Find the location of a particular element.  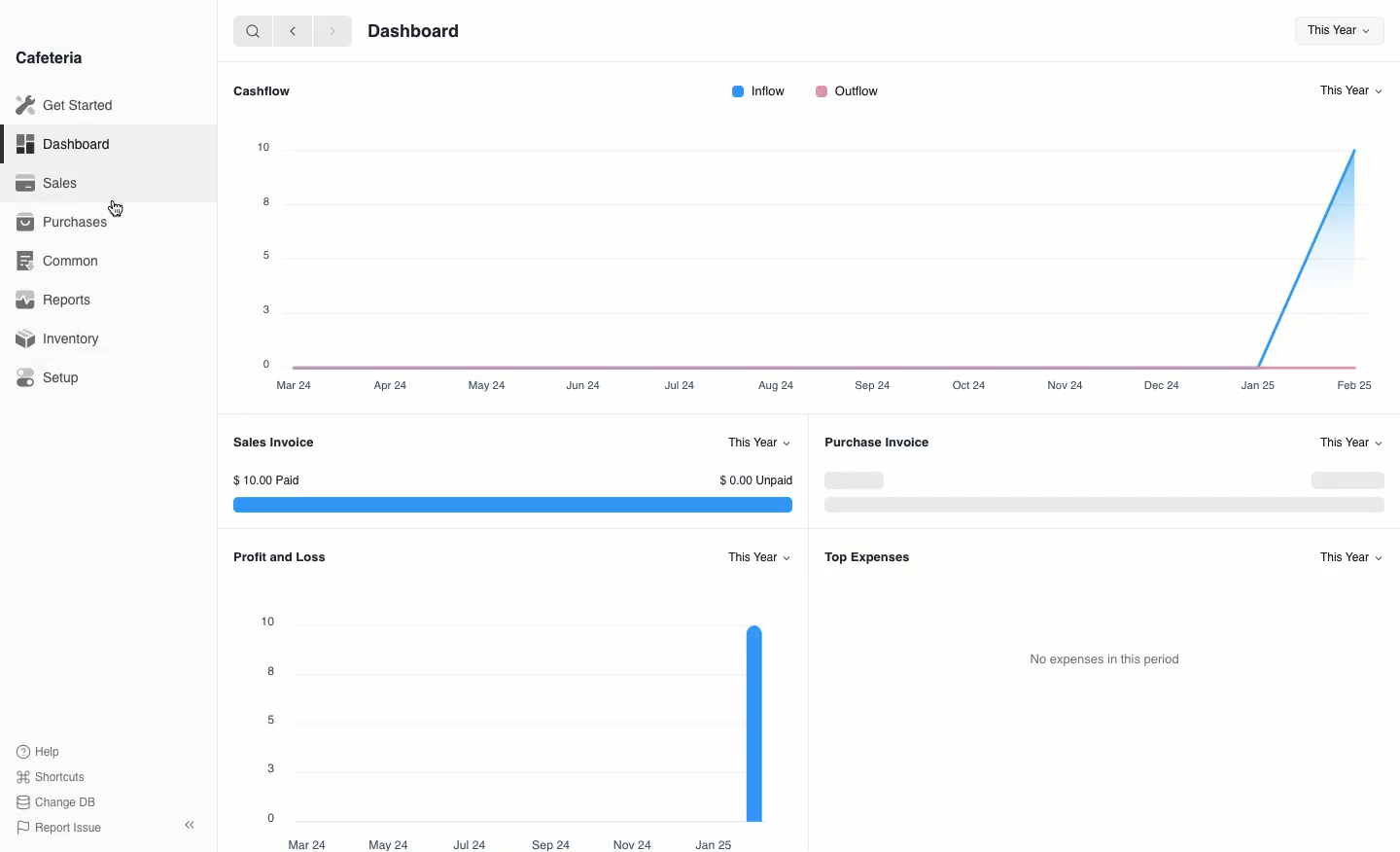

Jan25 is located at coordinates (1248, 385).